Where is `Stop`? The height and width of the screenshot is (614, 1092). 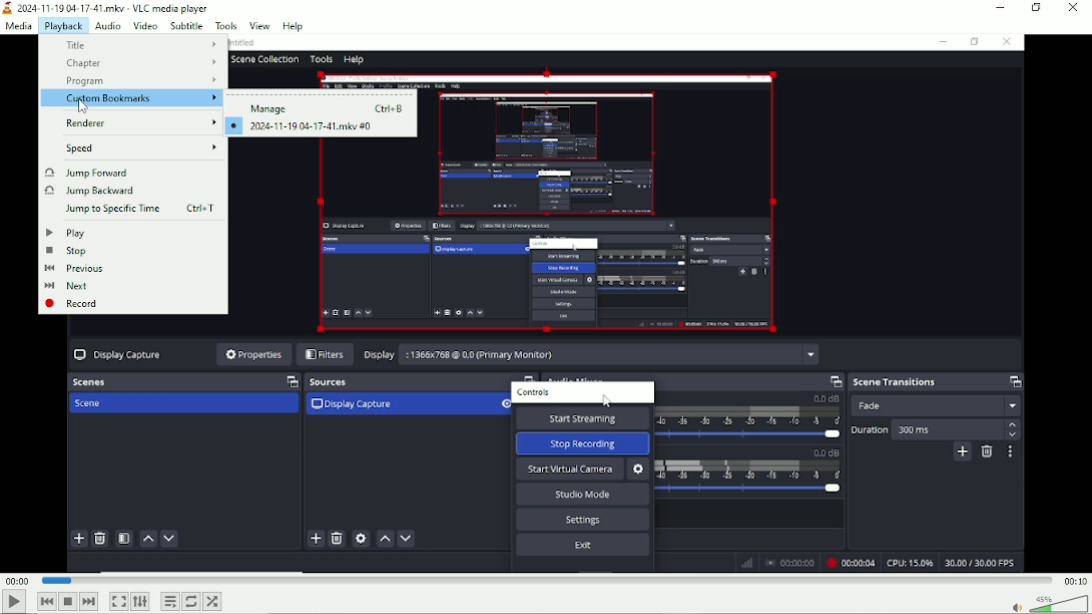 Stop is located at coordinates (70, 251).